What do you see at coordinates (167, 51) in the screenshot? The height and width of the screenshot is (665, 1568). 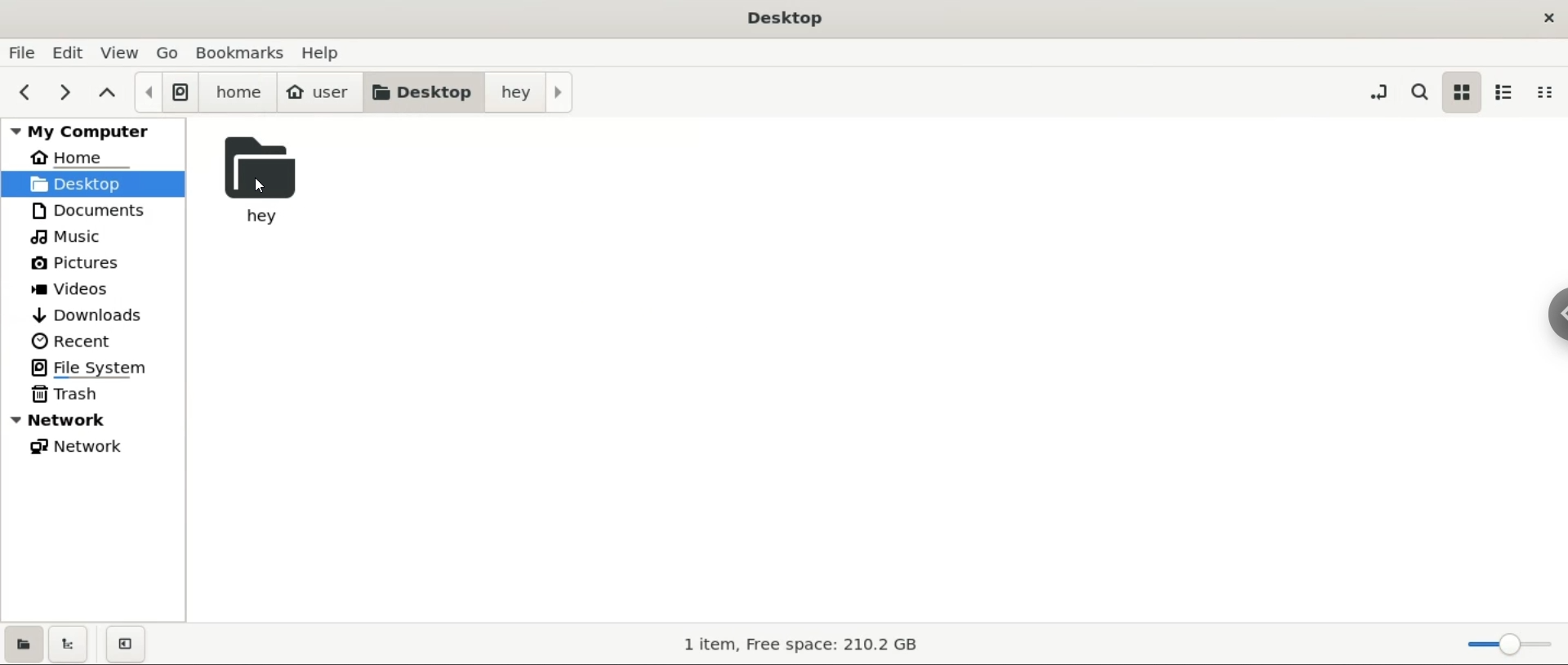 I see `go` at bounding box center [167, 51].